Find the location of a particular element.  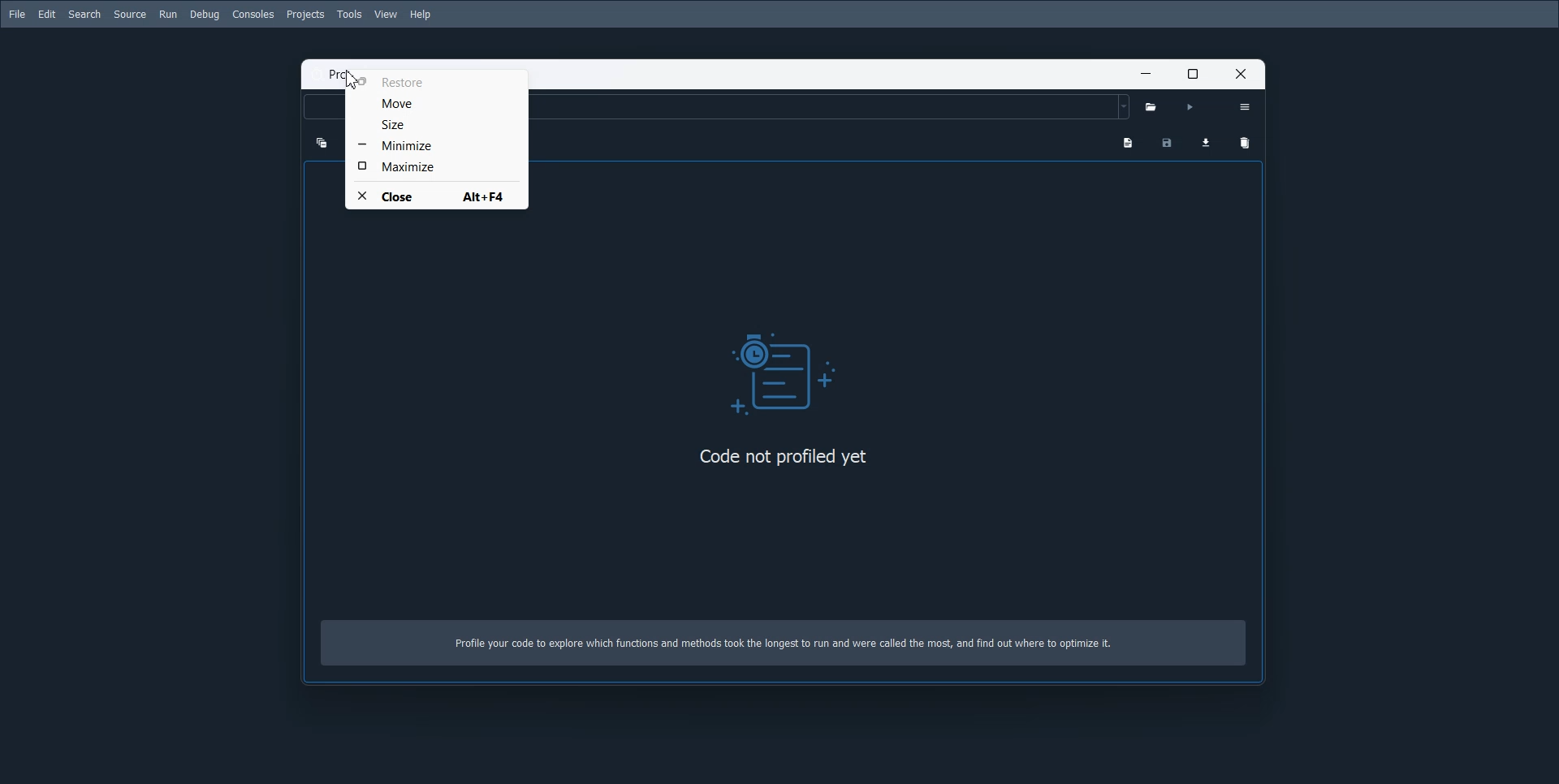

View is located at coordinates (387, 14).